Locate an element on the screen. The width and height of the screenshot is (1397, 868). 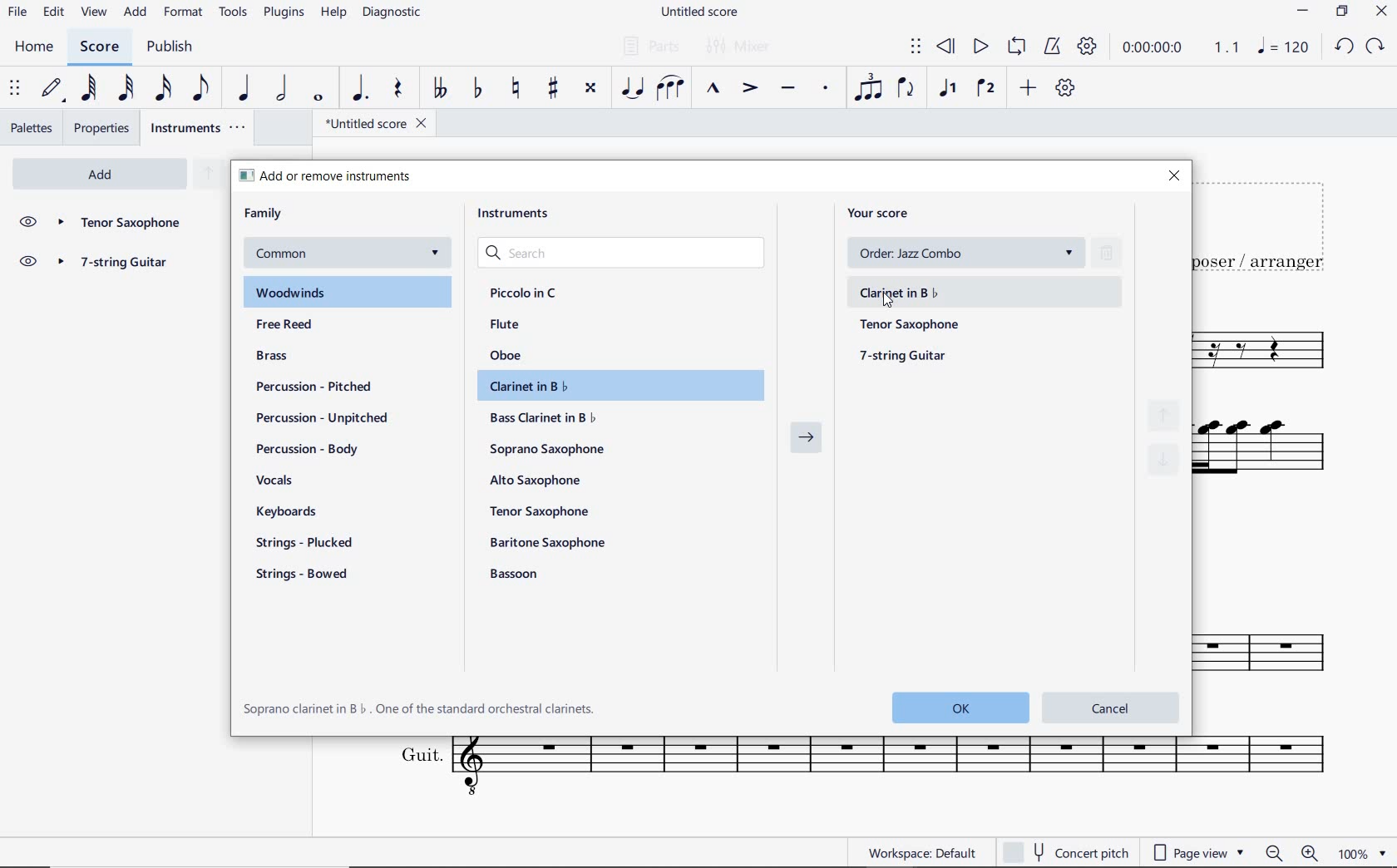
cancel is located at coordinates (1112, 706).